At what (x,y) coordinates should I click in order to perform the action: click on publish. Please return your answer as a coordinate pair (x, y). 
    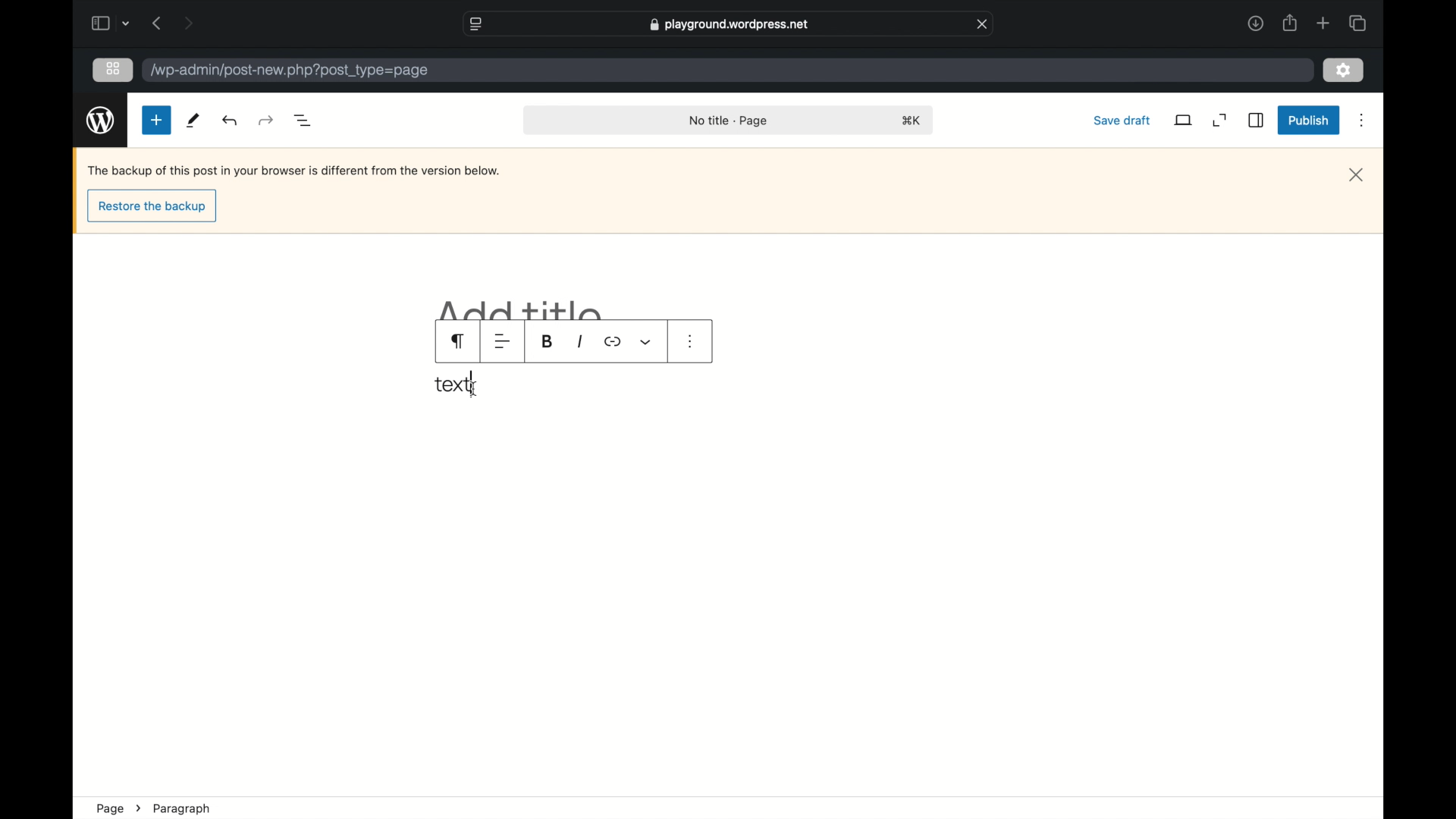
    Looking at the image, I should click on (1309, 121).